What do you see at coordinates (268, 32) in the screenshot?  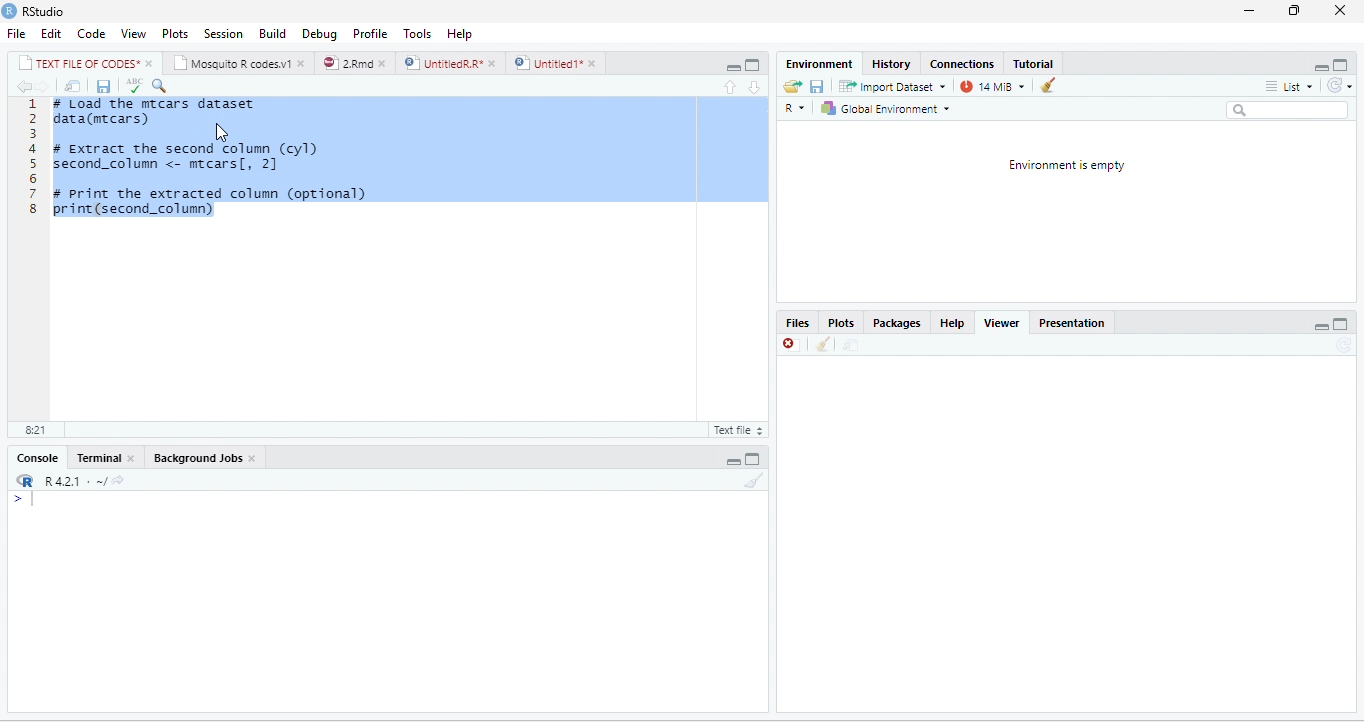 I see `` at bounding box center [268, 32].